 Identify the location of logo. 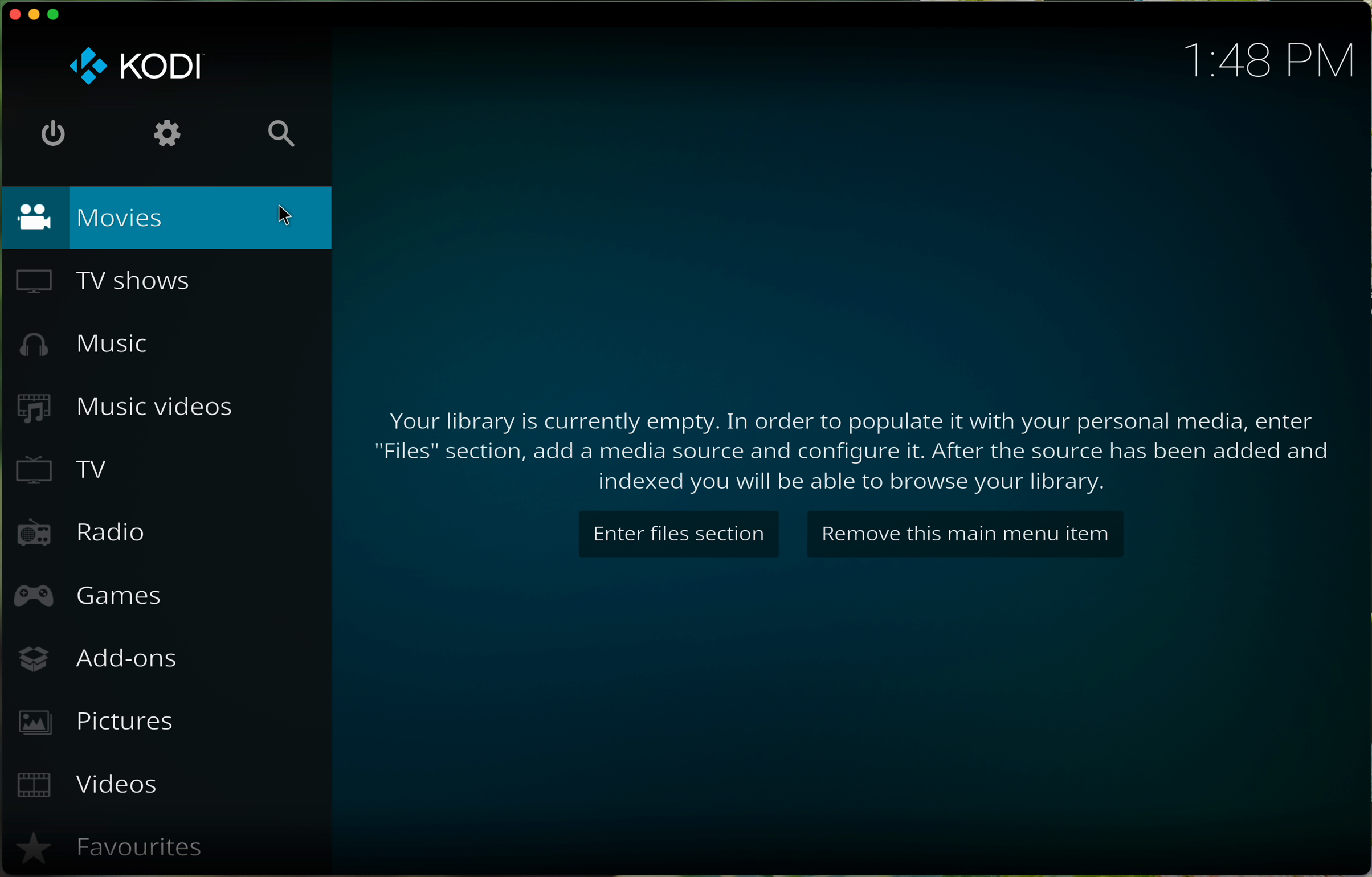
(144, 67).